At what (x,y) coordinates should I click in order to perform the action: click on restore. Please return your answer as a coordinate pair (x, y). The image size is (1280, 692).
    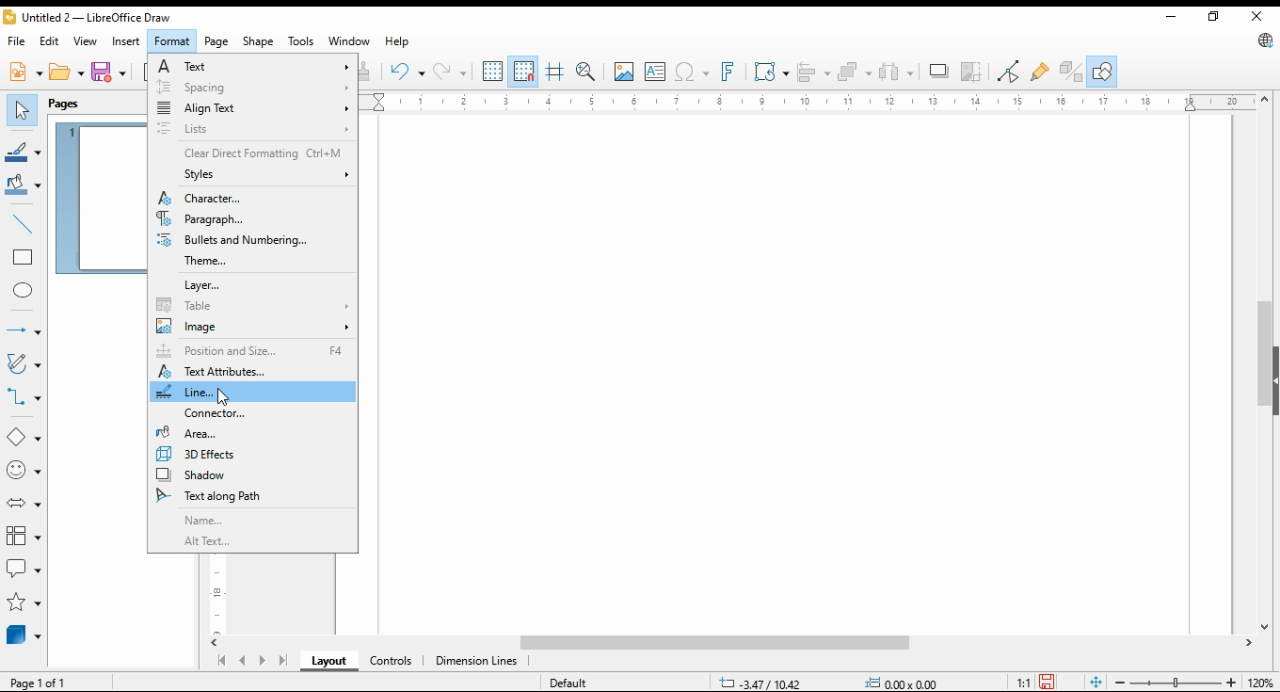
    Looking at the image, I should click on (1217, 17).